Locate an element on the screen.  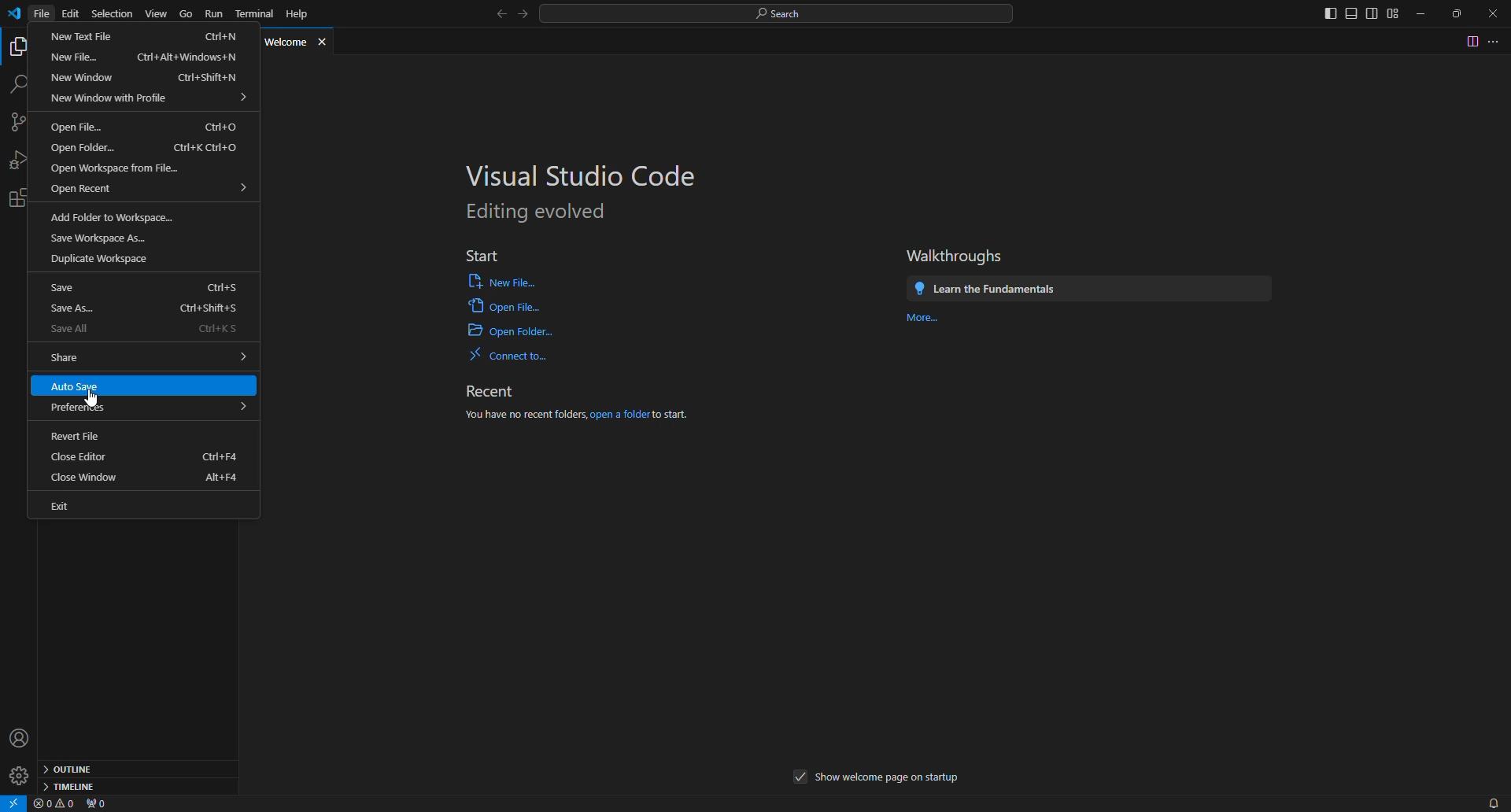
vs code is located at coordinates (17, 16).